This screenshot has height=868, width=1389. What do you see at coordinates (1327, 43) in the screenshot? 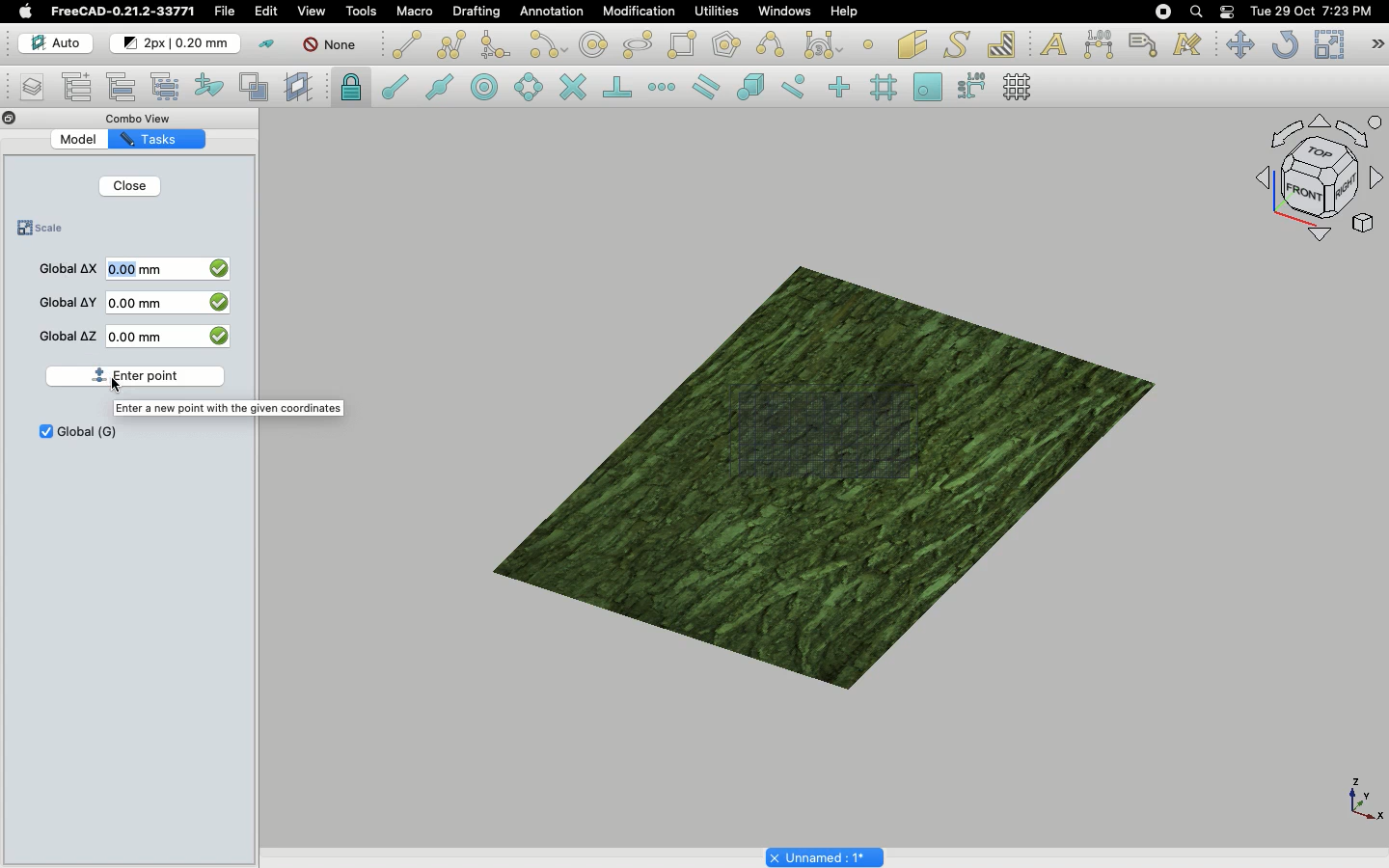
I see `Scale` at bounding box center [1327, 43].